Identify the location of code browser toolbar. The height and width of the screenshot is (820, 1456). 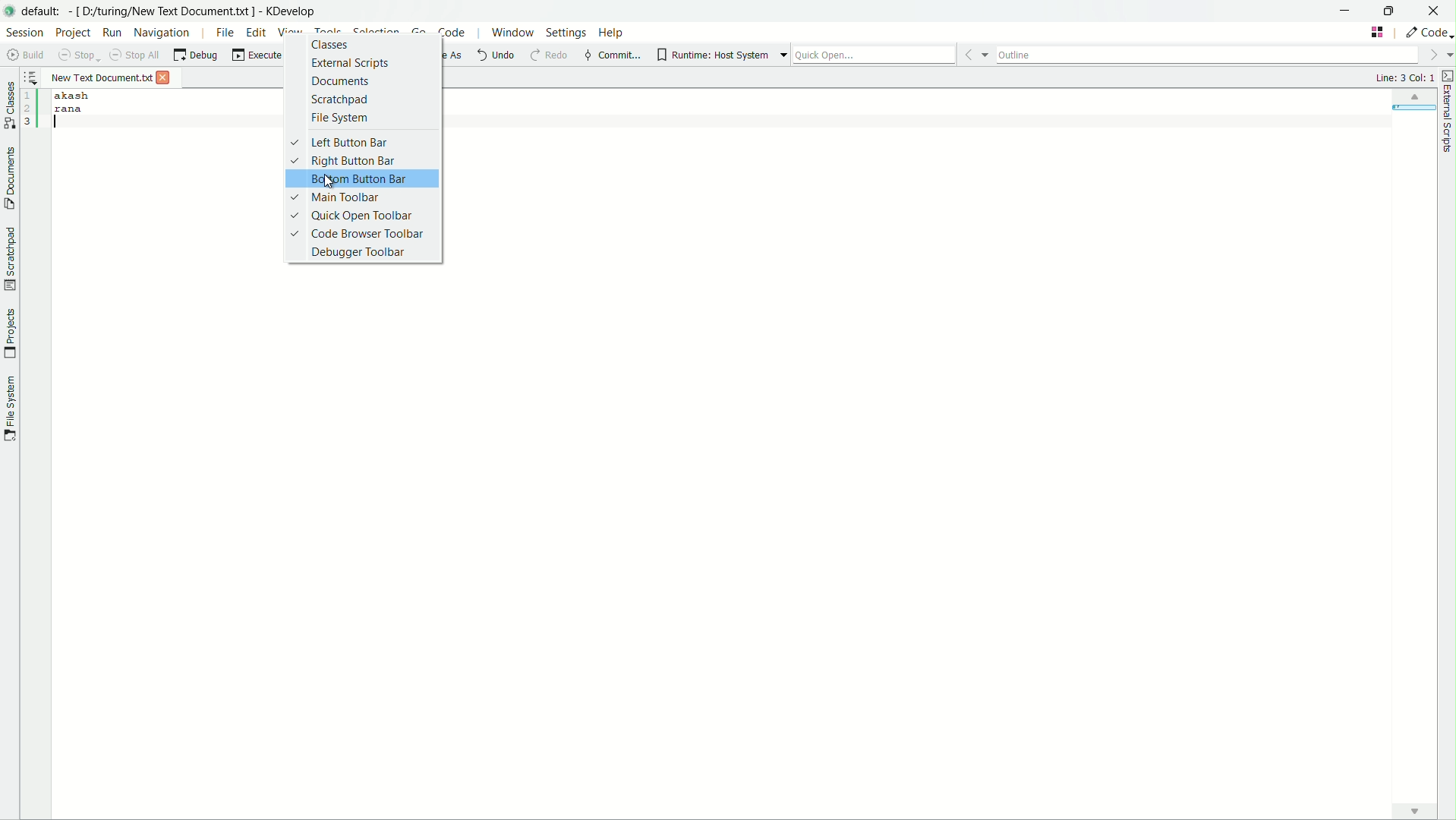
(358, 233).